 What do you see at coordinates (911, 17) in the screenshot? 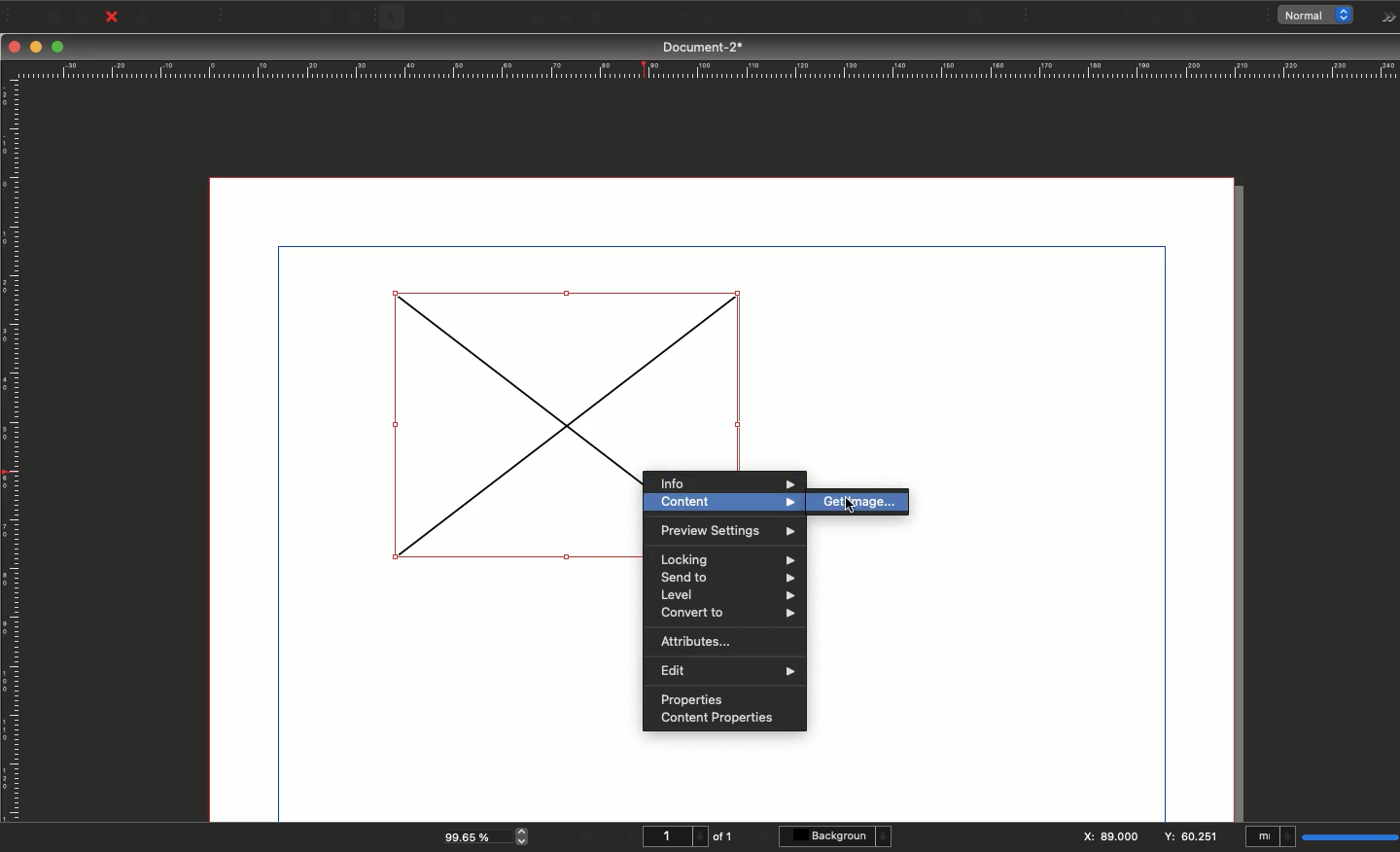
I see `Unlink text frames` at bounding box center [911, 17].